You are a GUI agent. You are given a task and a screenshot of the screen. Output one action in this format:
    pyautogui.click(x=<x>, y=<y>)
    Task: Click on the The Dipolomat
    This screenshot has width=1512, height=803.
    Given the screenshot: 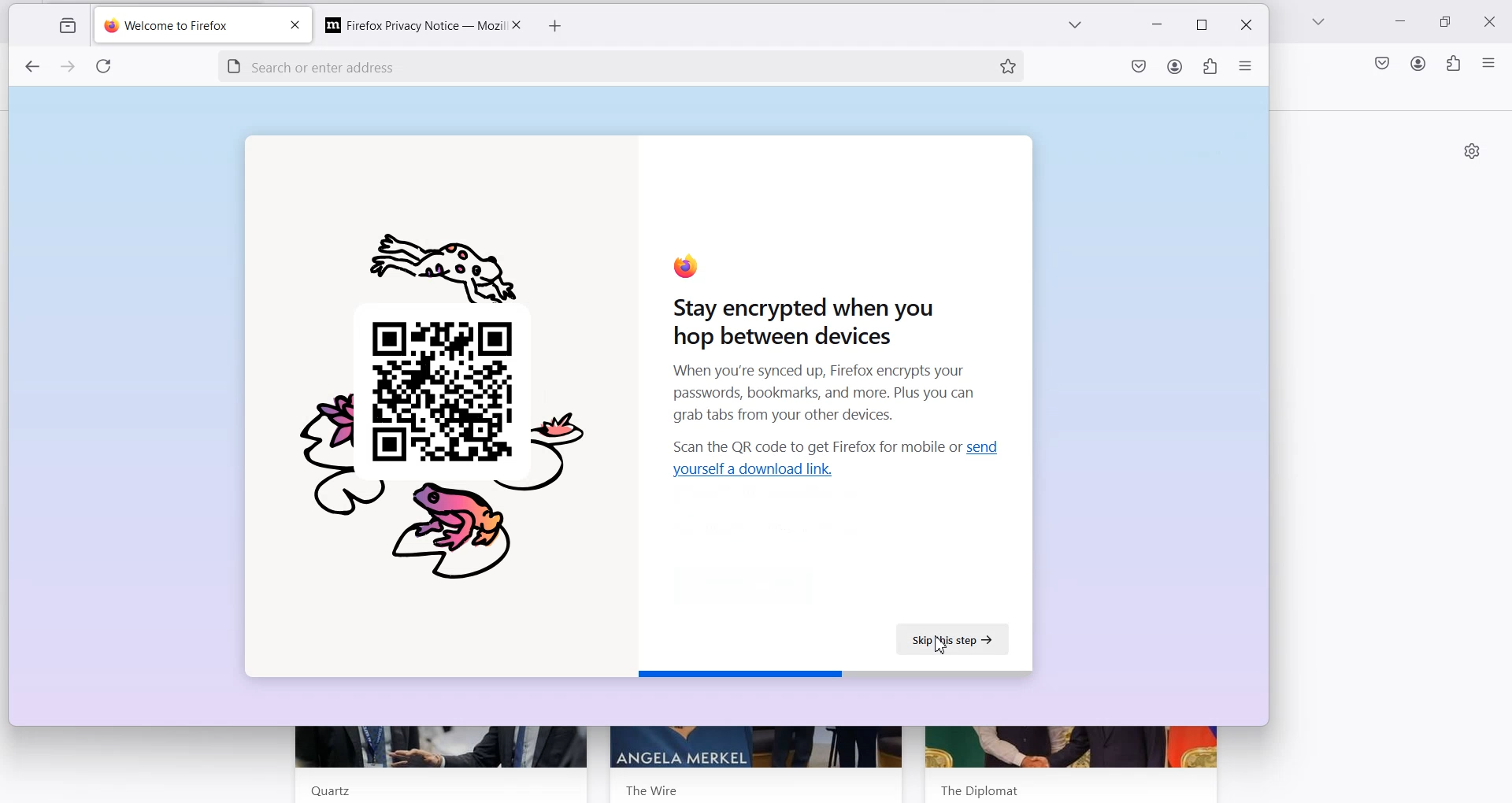 What is the action you would take?
    pyautogui.click(x=975, y=787)
    